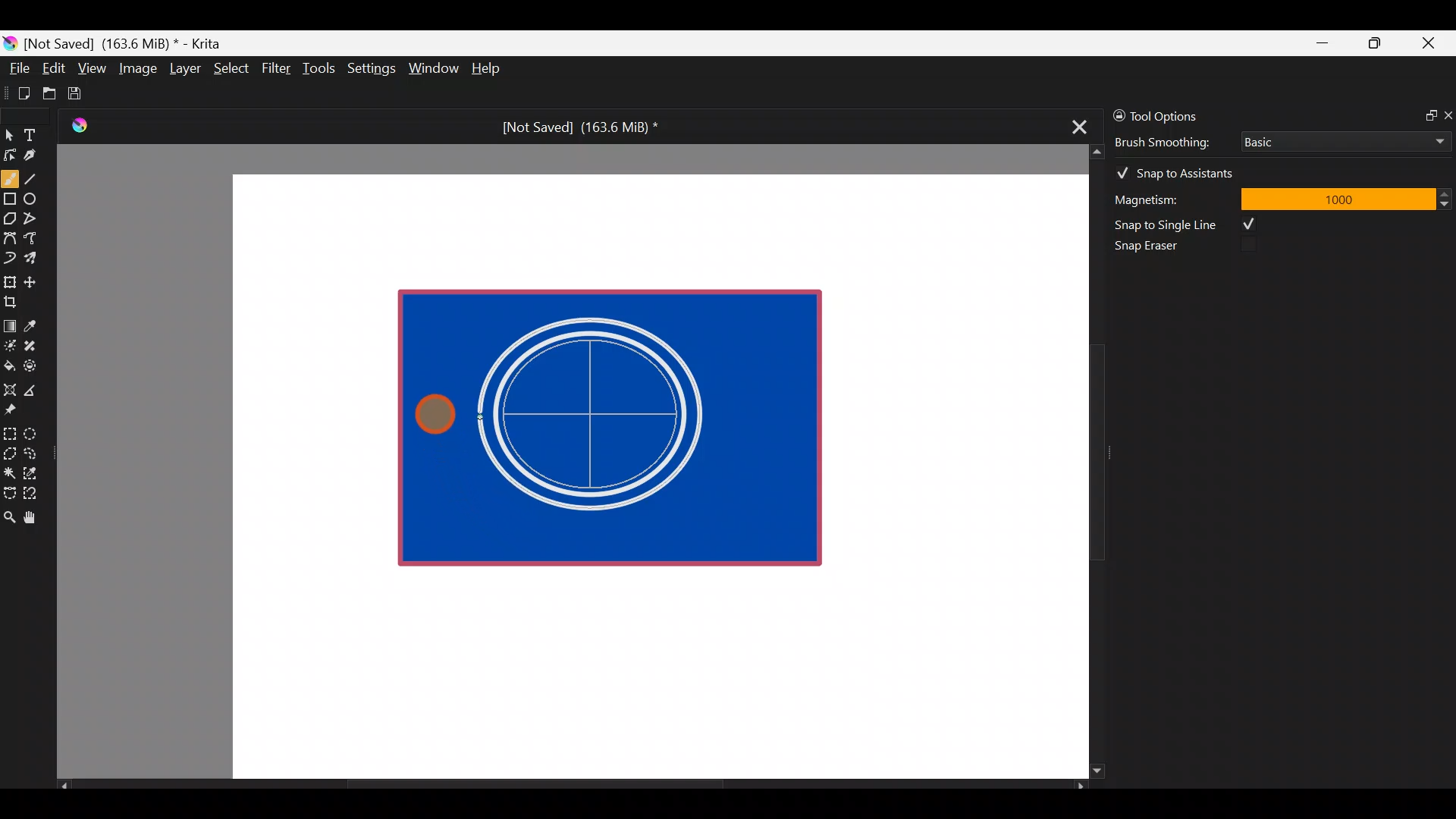  I want to click on View, so click(93, 68).